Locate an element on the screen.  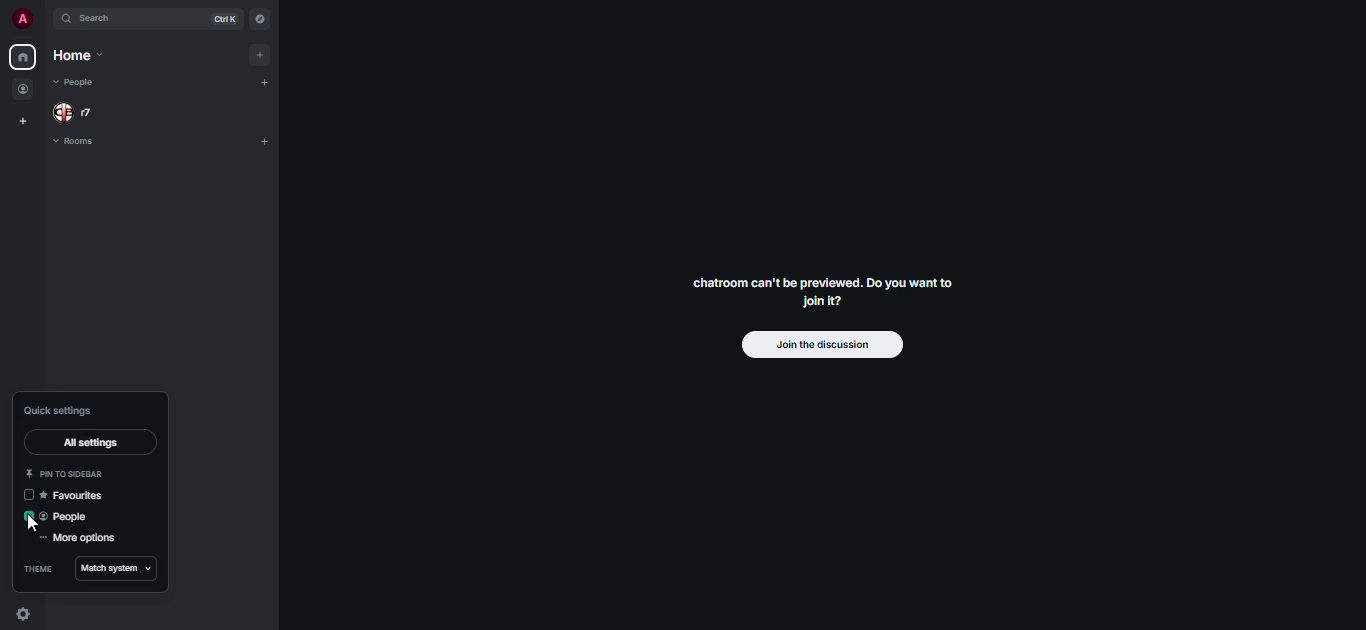
profile is located at coordinates (17, 21).